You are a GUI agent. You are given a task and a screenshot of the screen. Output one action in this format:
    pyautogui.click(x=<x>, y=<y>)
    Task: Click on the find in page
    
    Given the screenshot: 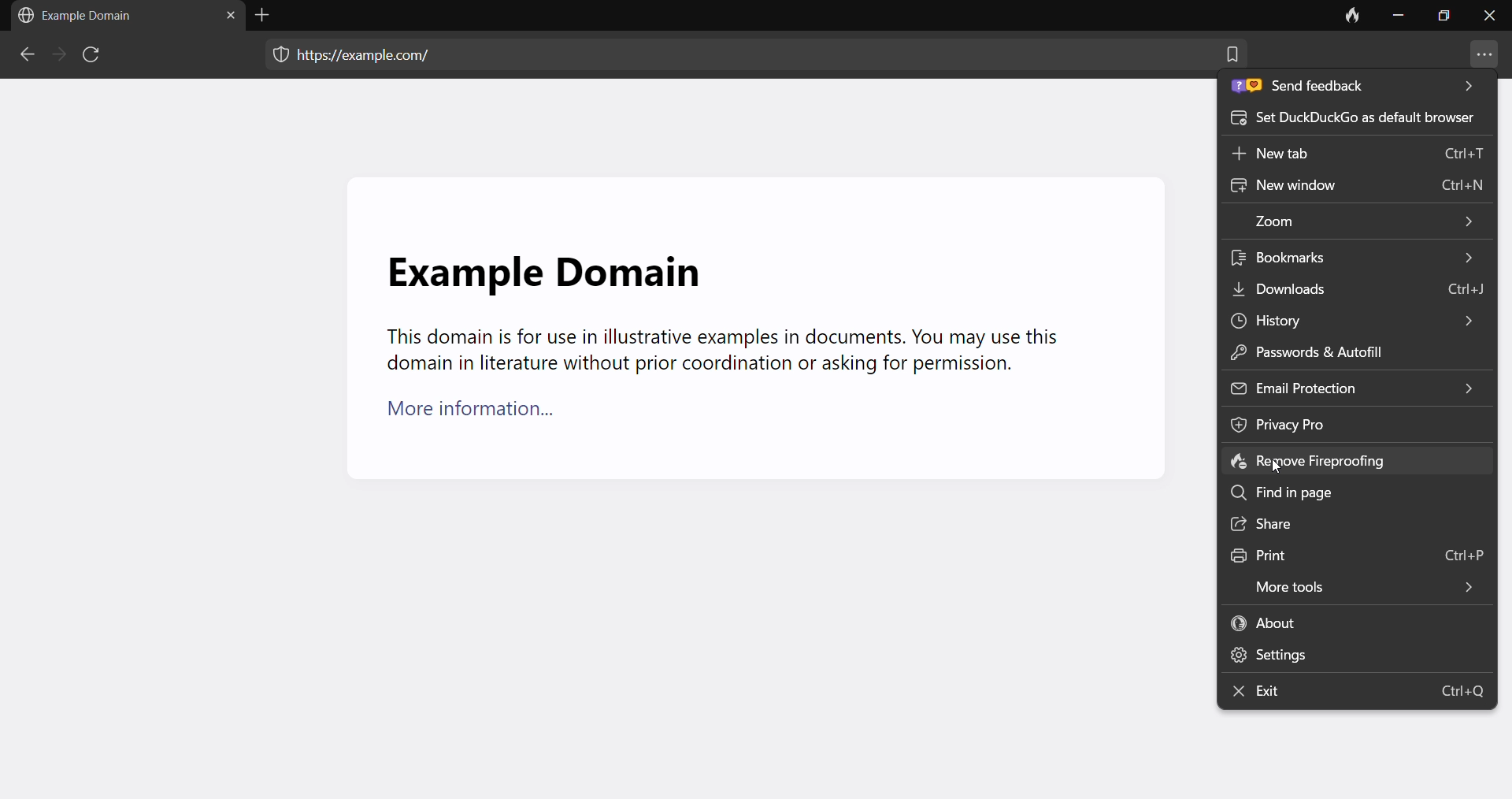 What is the action you would take?
    pyautogui.click(x=1354, y=491)
    